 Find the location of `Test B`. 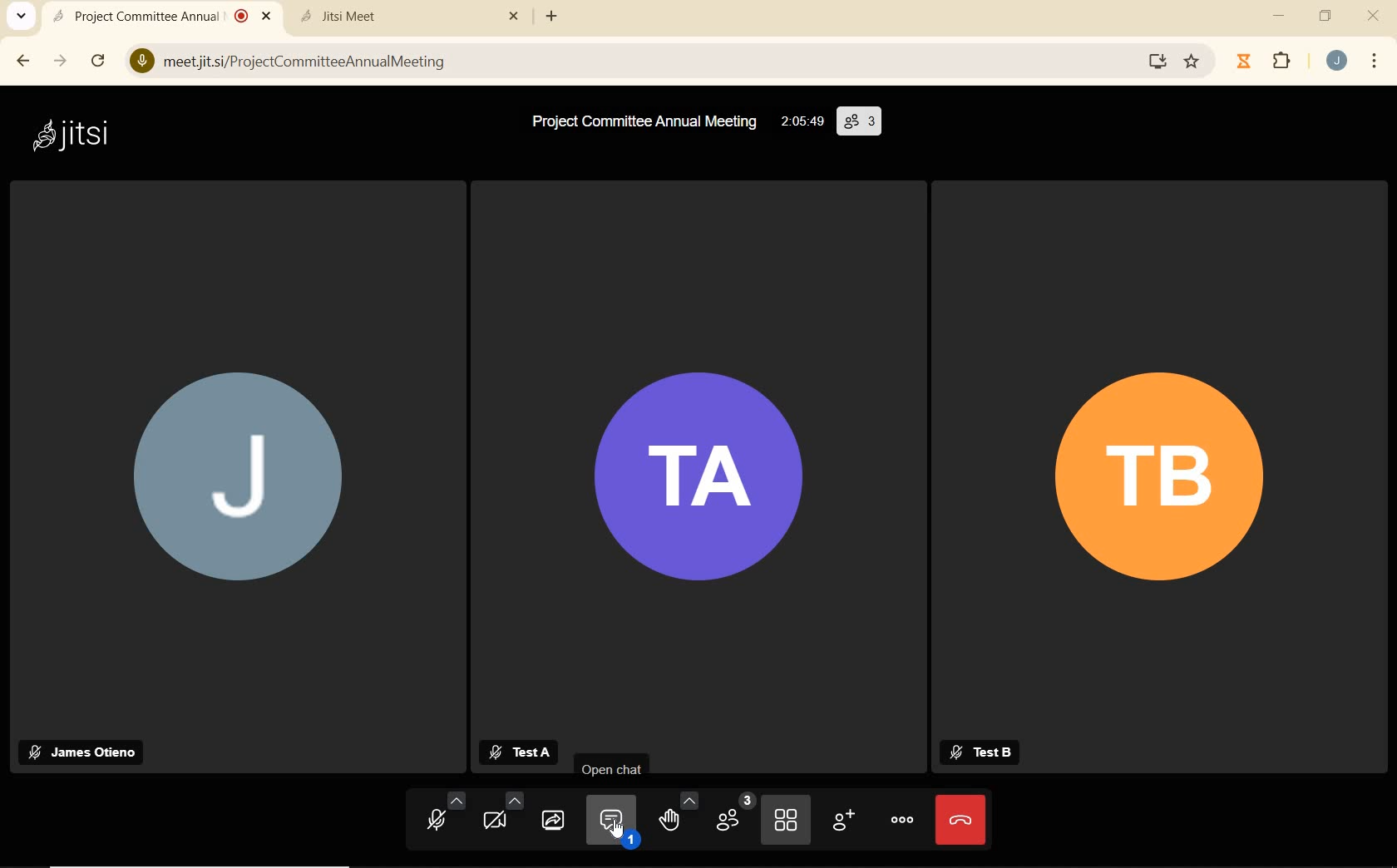

Test B is located at coordinates (989, 752).